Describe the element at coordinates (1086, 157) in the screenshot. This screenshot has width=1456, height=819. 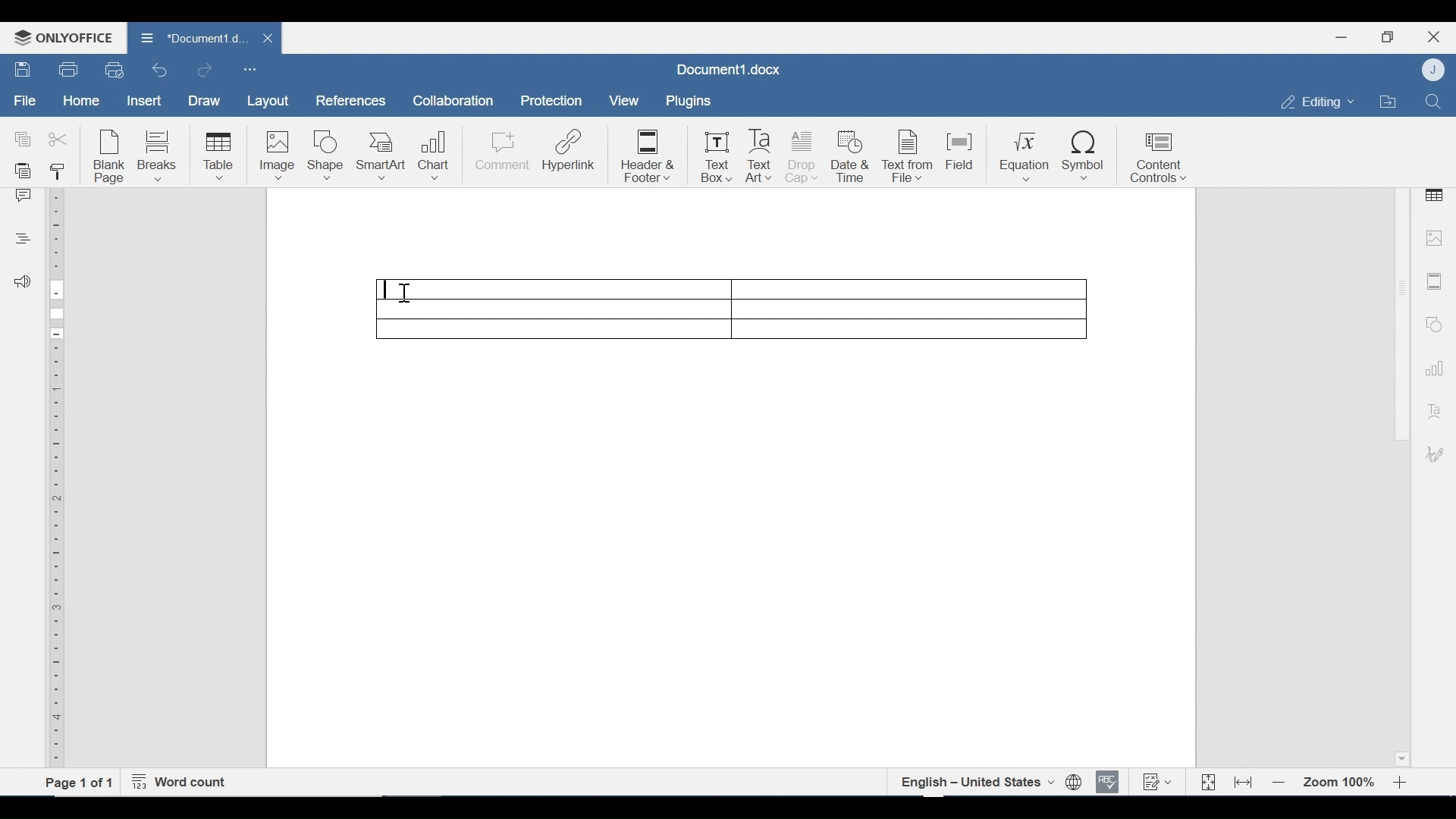
I see `Symbol` at that location.